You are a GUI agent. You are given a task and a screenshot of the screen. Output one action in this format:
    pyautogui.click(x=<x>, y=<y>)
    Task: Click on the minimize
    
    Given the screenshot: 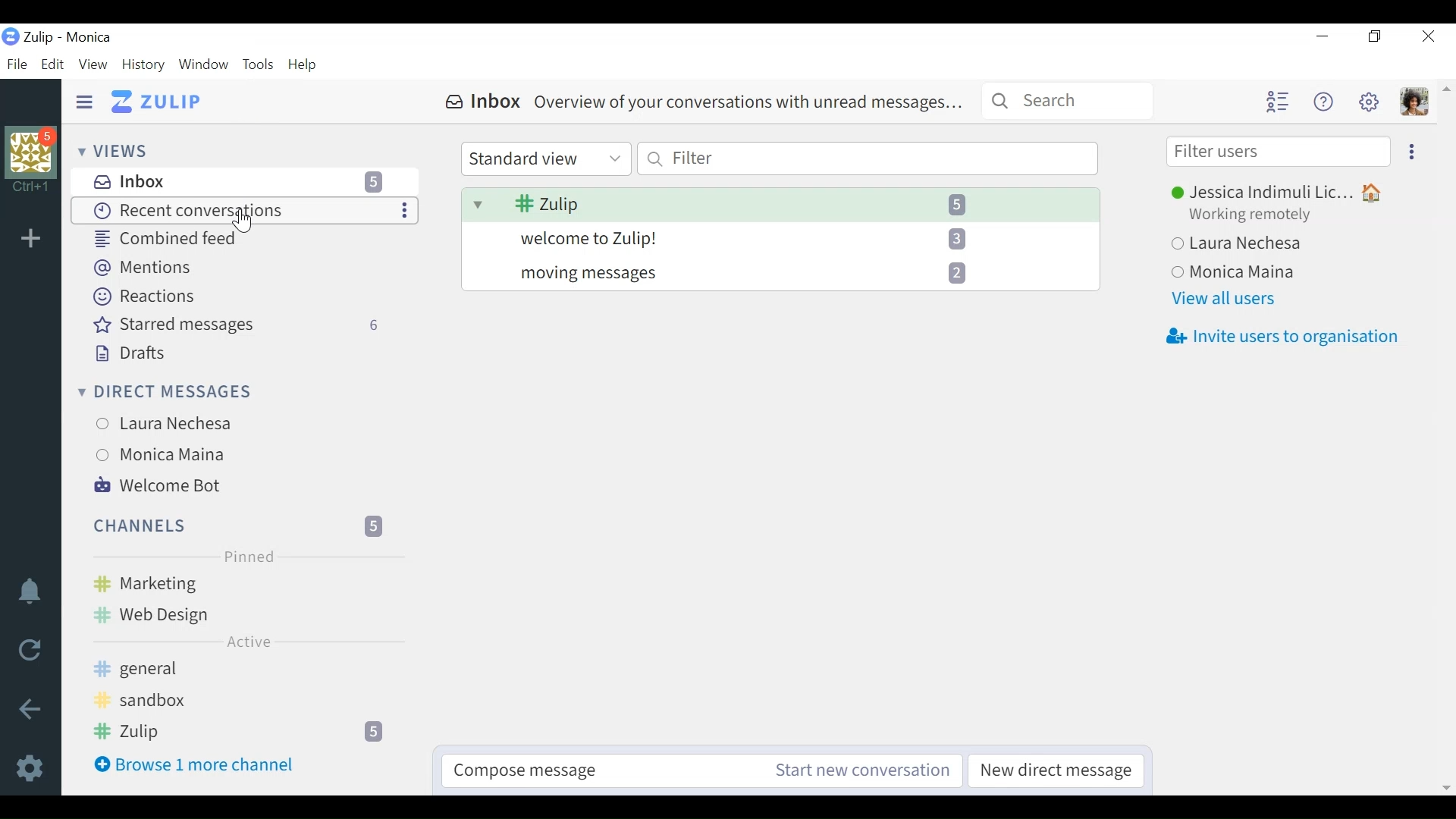 What is the action you would take?
    pyautogui.click(x=1322, y=37)
    